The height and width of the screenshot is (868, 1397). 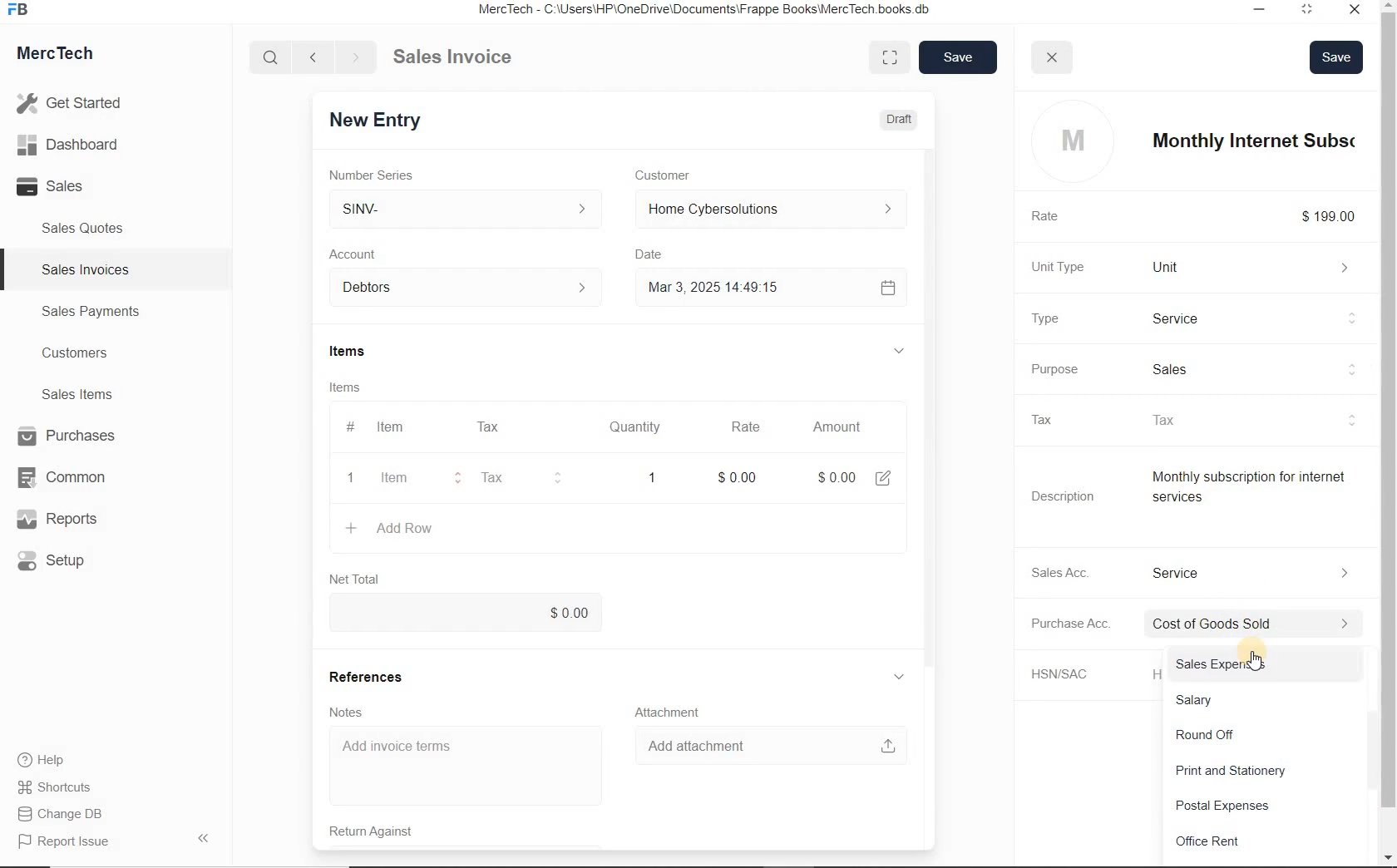 I want to click on Add attachment, so click(x=770, y=745).